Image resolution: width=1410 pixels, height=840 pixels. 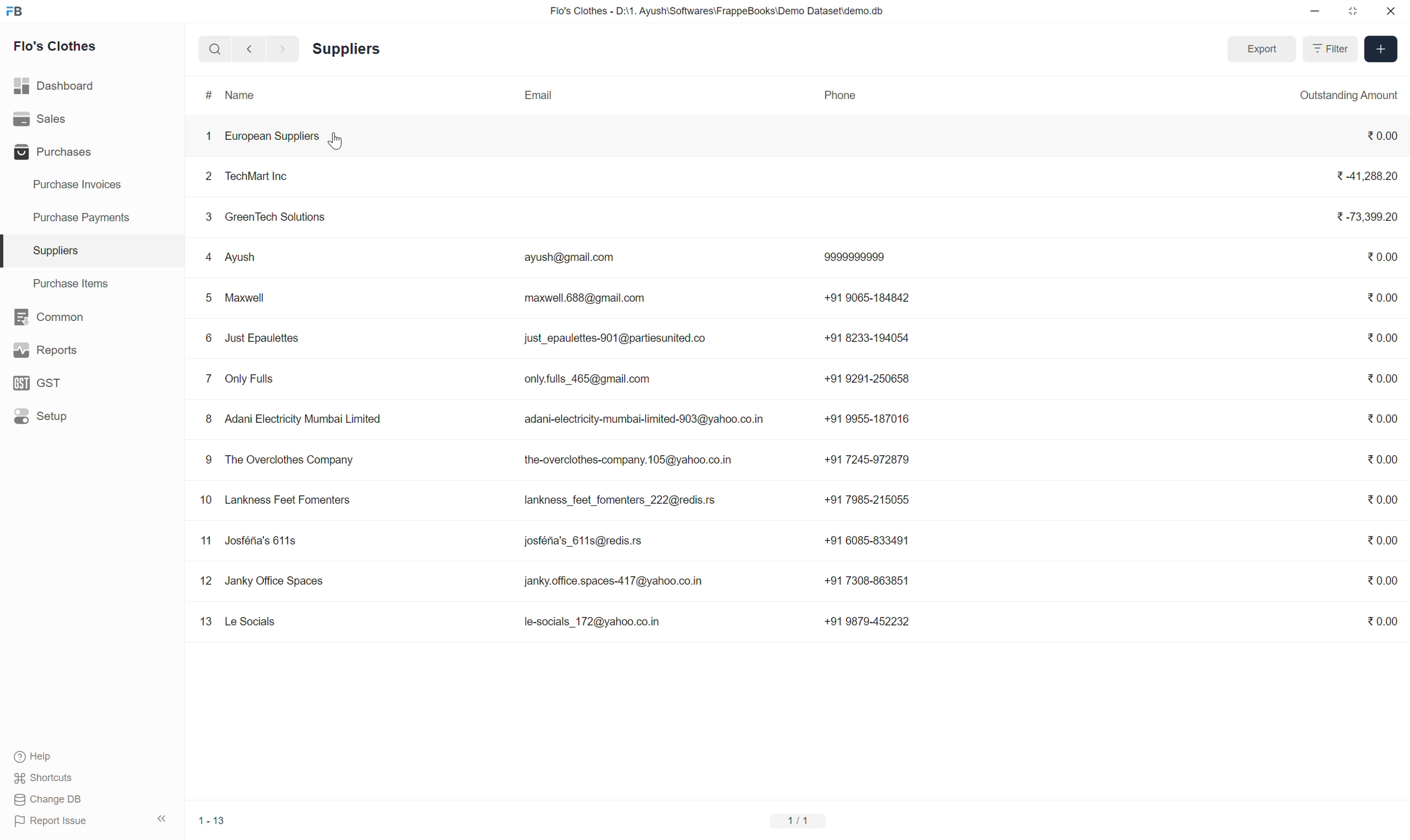 I want to click on le-socials_172@yahoo.co.in, so click(x=589, y=619).